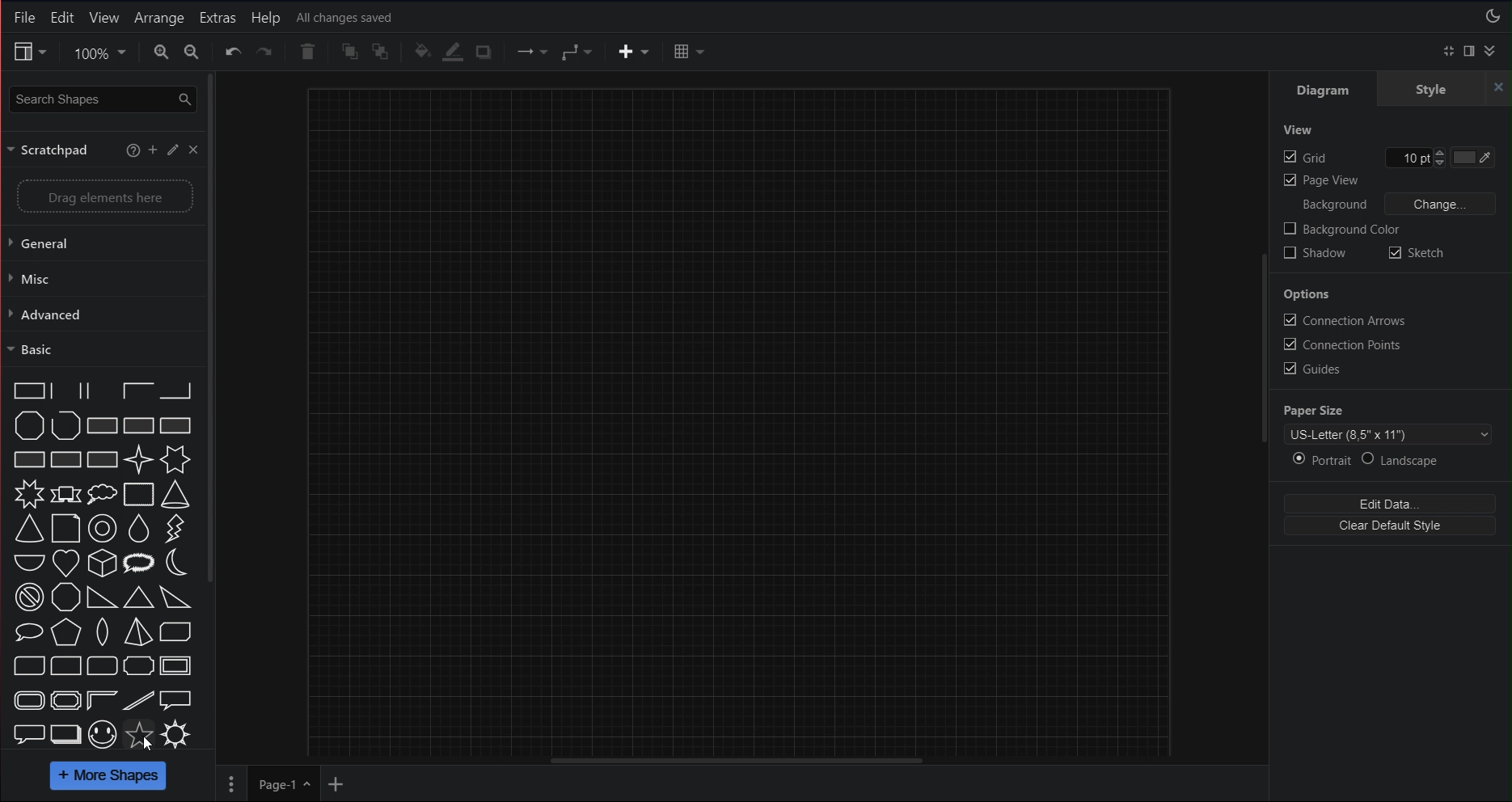 Image resolution: width=1512 pixels, height=802 pixels. I want to click on Style, so click(1431, 88).